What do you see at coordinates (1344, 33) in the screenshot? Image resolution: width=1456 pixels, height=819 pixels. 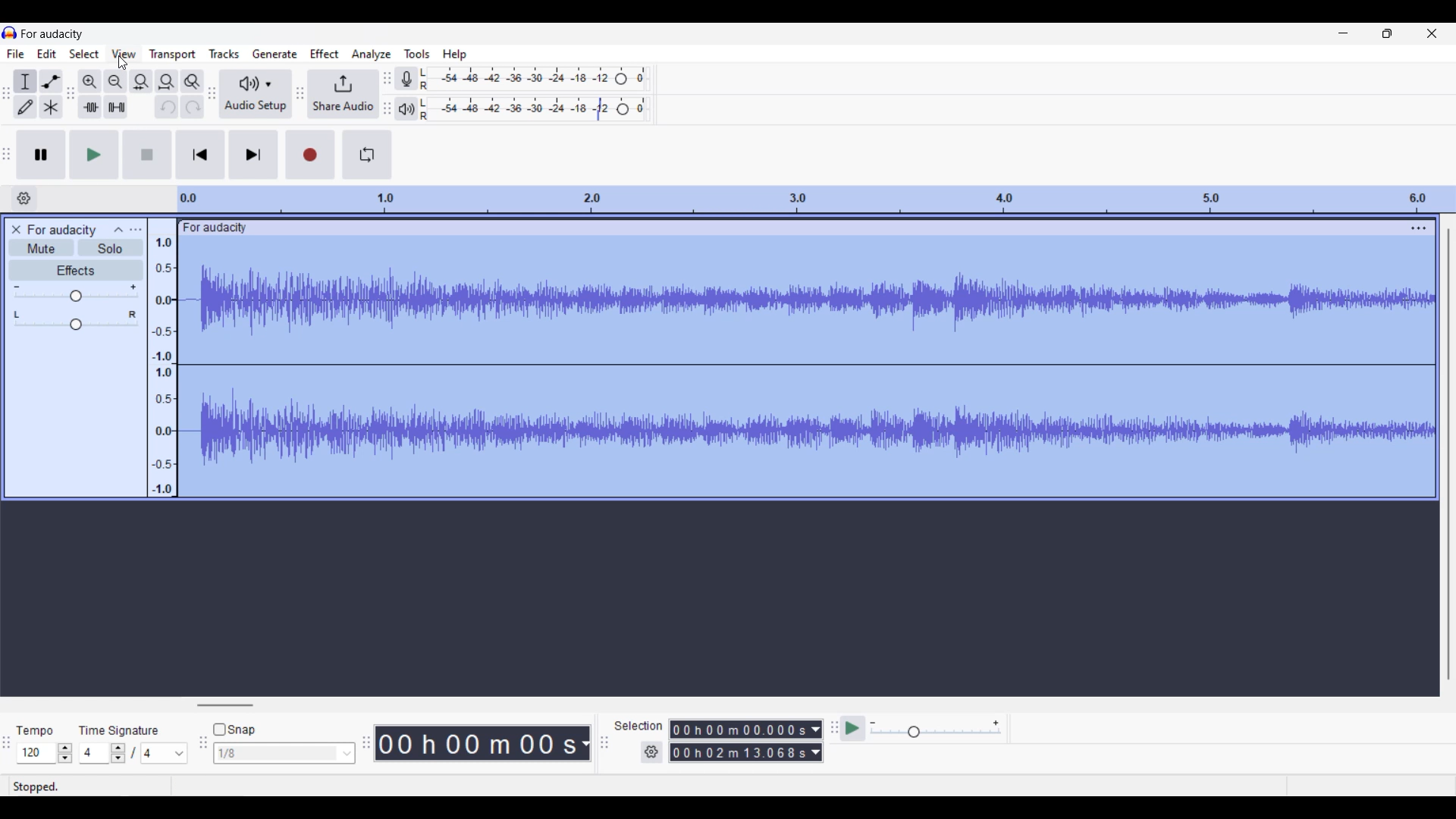 I see `Minimize` at bounding box center [1344, 33].